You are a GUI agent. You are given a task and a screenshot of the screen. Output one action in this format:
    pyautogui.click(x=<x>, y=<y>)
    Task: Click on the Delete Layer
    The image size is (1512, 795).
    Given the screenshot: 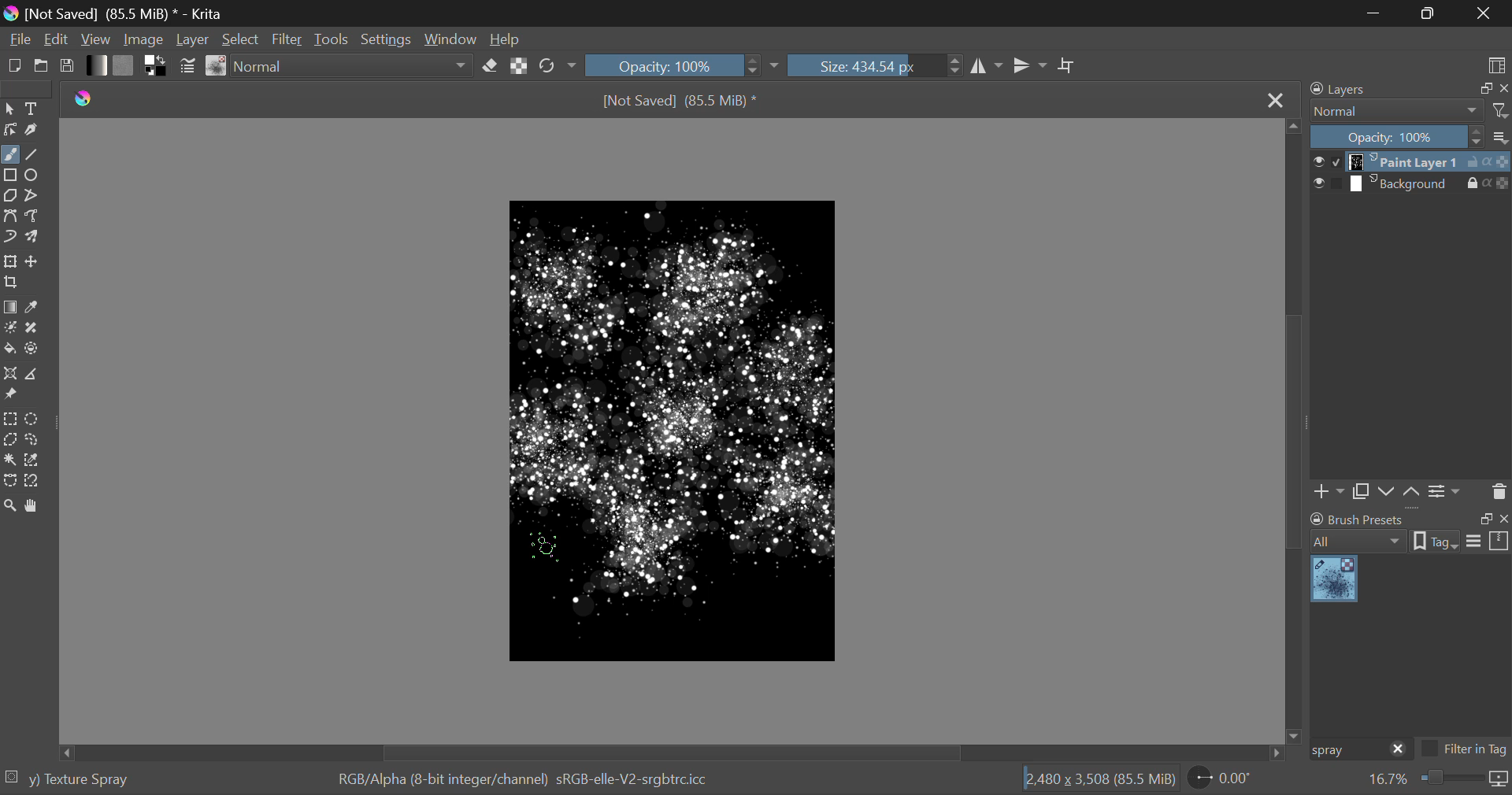 What is the action you would take?
    pyautogui.click(x=1497, y=490)
    